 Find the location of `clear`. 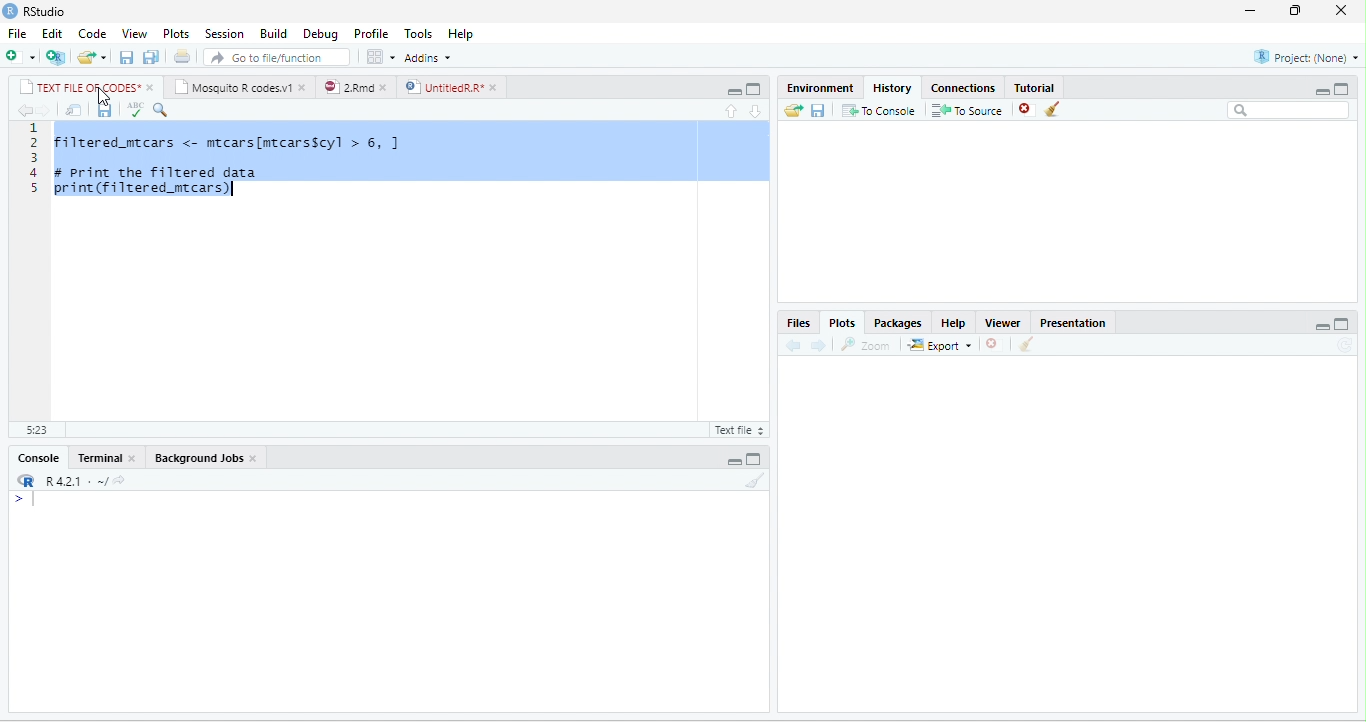

clear is located at coordinates (1053, 108).